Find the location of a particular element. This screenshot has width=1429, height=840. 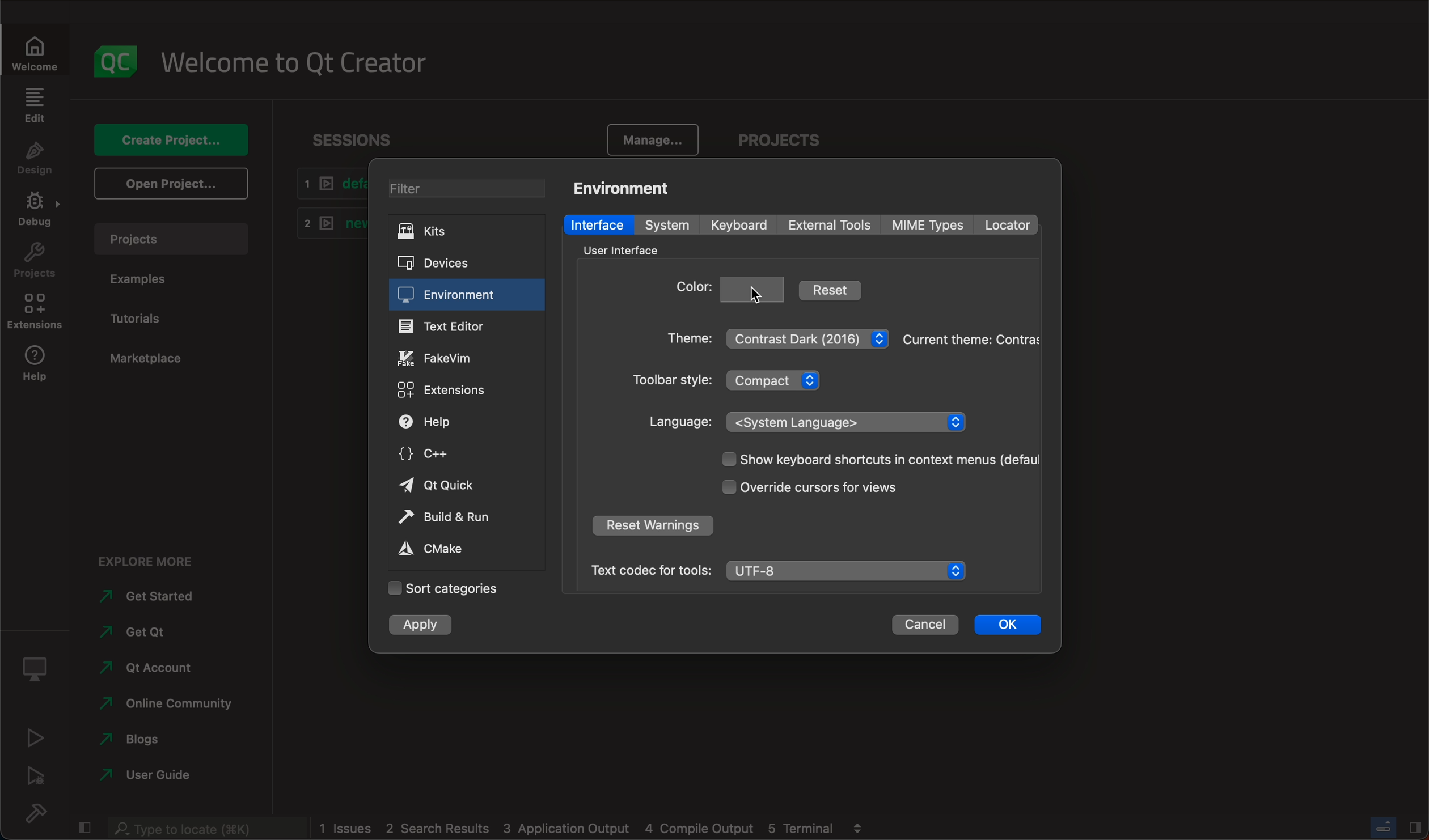

external tools is located at coordinates (832, 224).